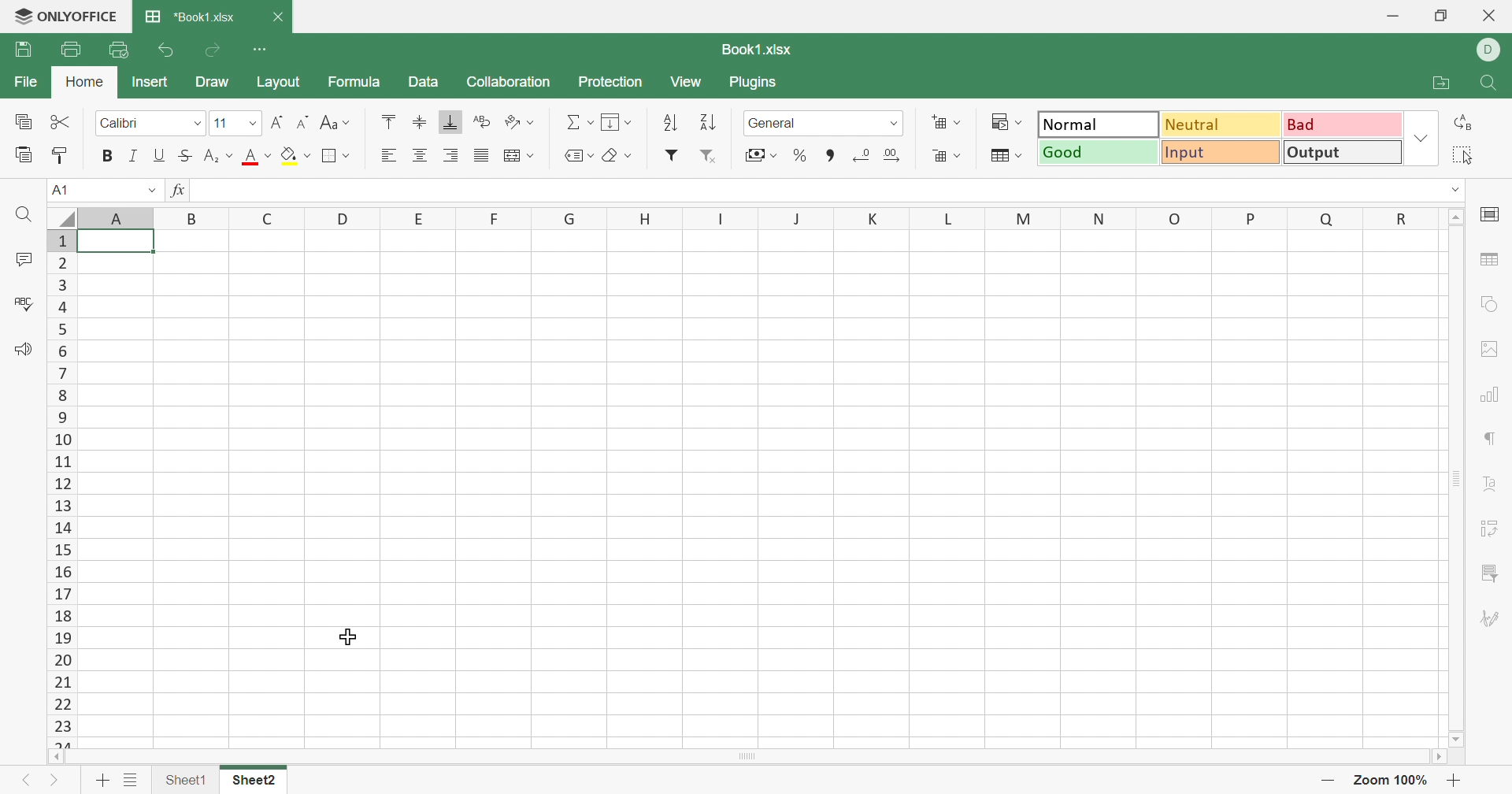  I want to click on 22, so click(61, 703).